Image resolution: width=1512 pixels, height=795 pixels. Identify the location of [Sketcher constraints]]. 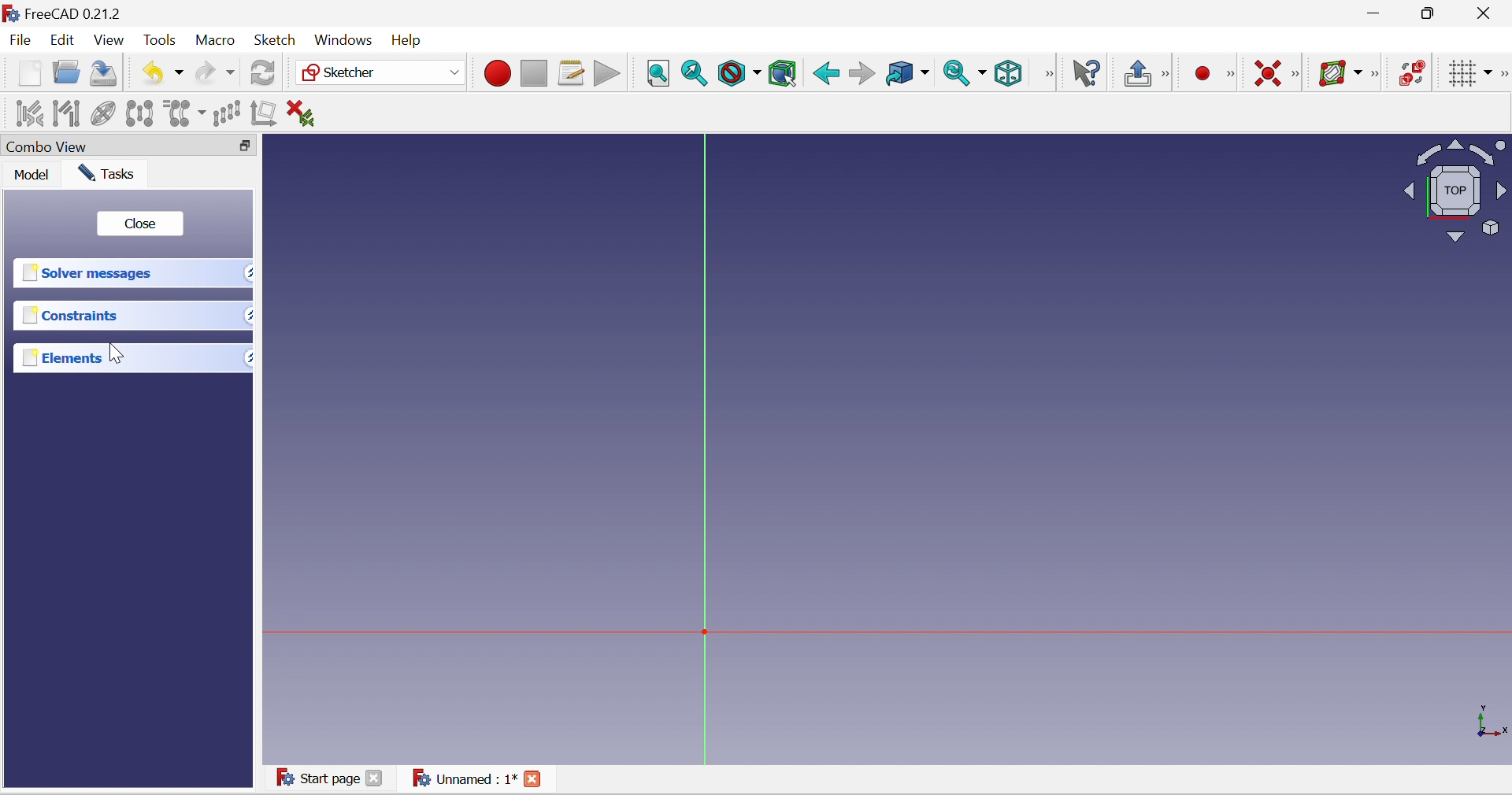
(1298, 76).